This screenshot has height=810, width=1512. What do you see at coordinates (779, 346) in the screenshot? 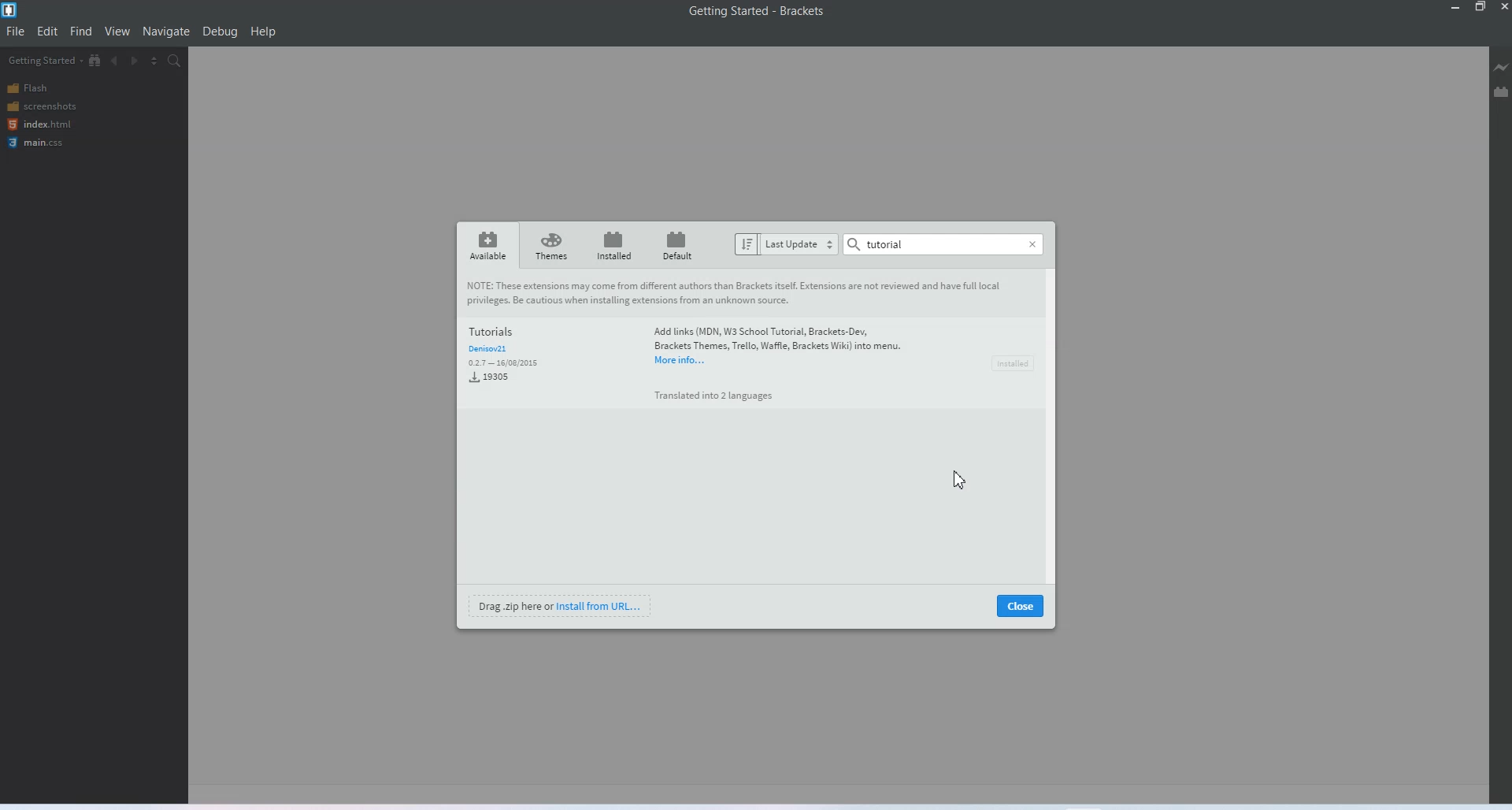
I see `‘Add links (MDN, W3 School Tutorial, Brackets-Dev,
Brackets Themes, Trello, Waffle, Brackets Wiki) into menu.` at bounding box center [779, 346].